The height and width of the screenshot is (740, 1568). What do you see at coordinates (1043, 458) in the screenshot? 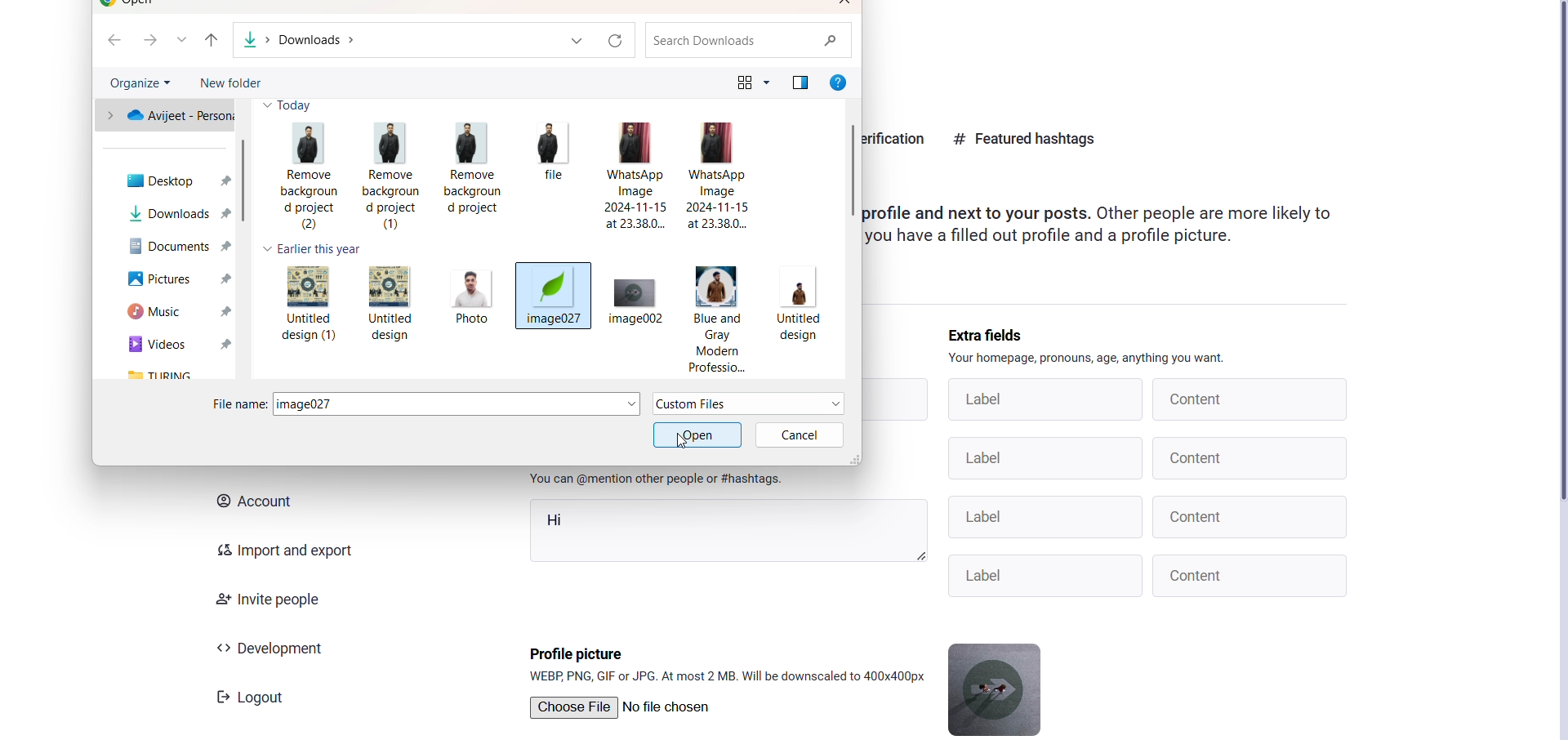
I see `Label` at bounding box center [1043, 458].